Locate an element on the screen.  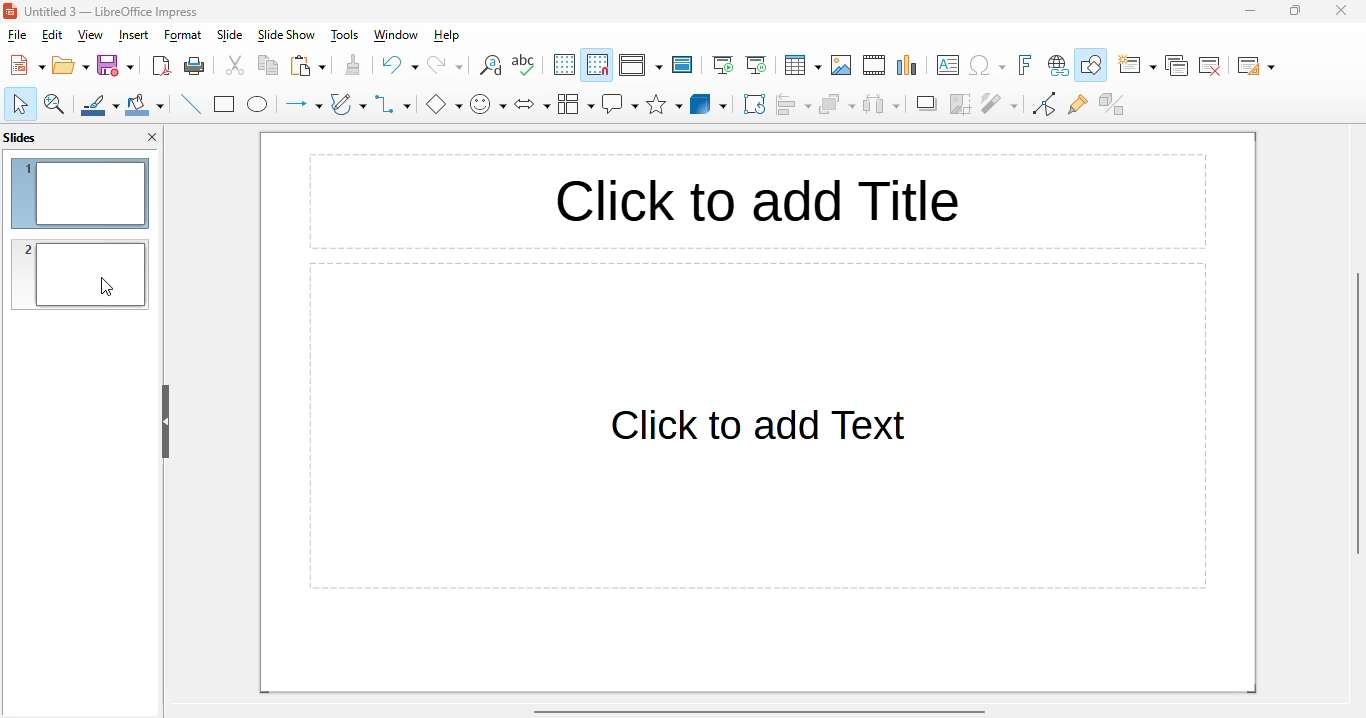
basic shapes is located at coordinates (444, 104).